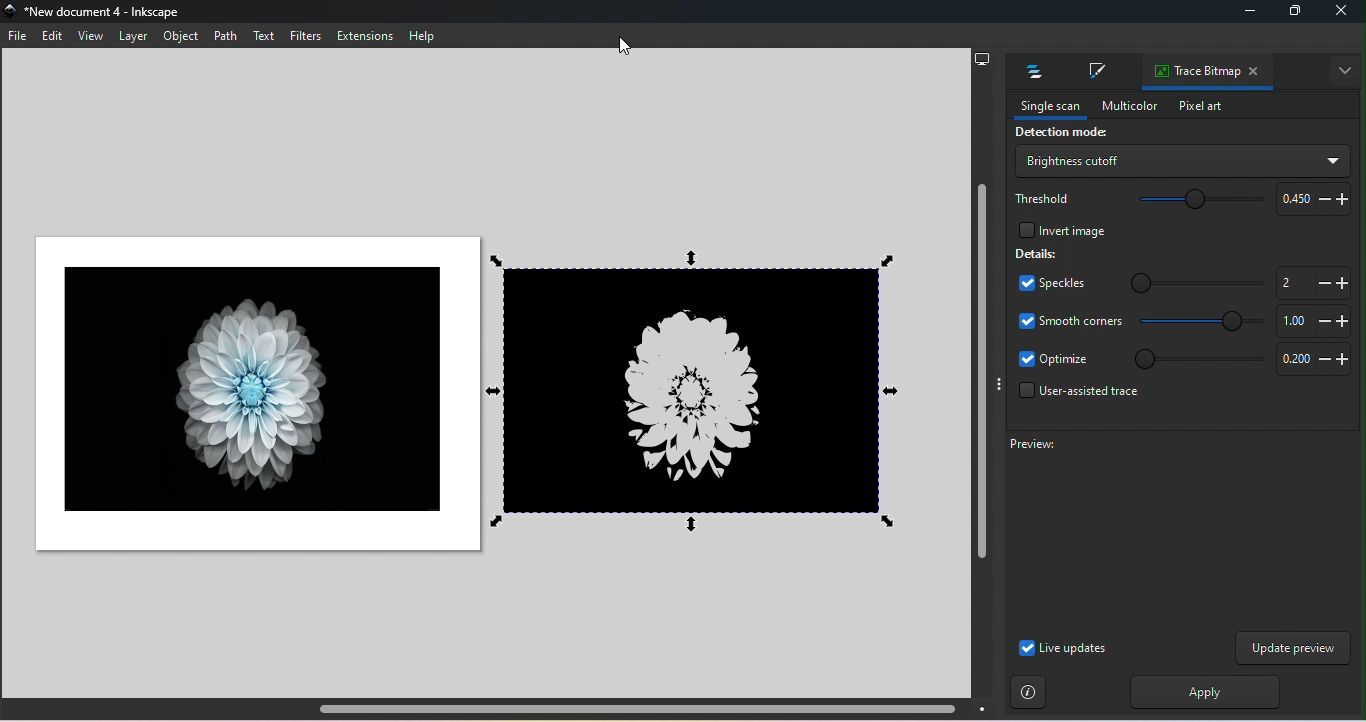  What do you see at coordinates (1167, 531) in the screenshot?
I see `Preview` at bounding box center [1167, 531].